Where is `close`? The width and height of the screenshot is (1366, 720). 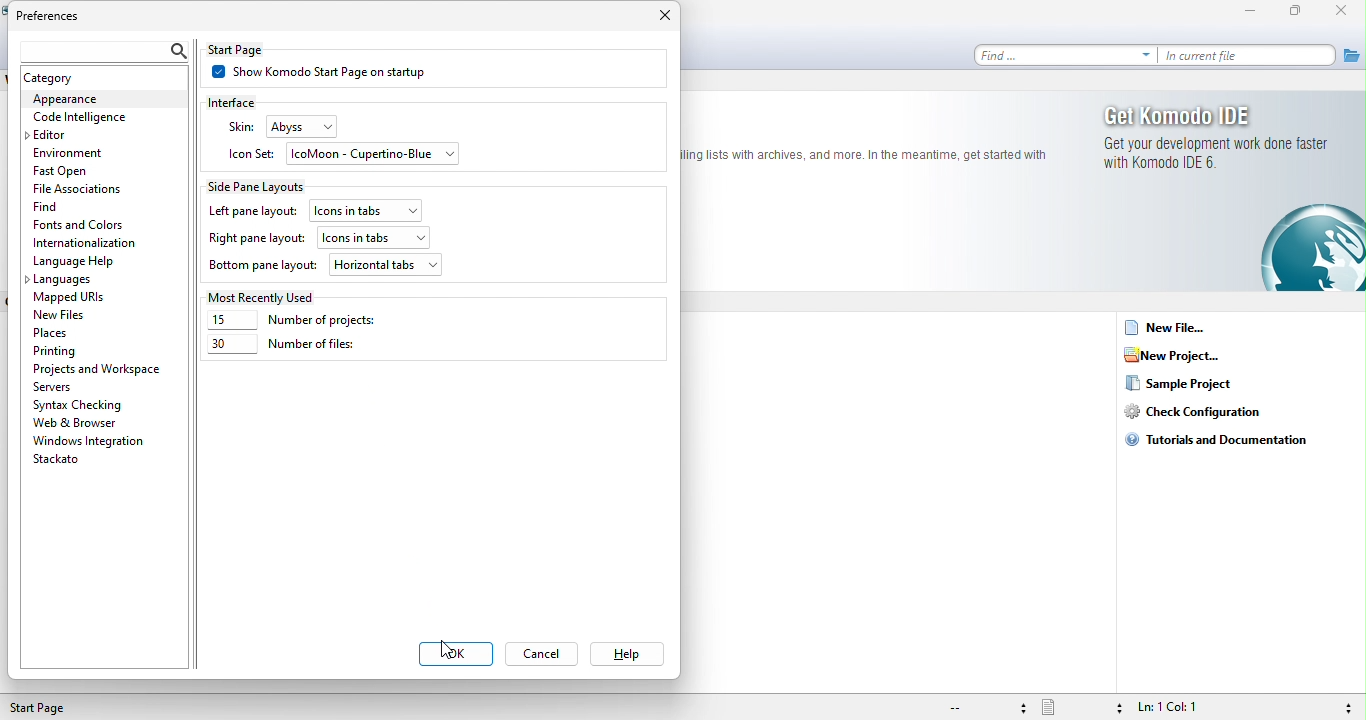 close is located at coordinates (1346, 12).